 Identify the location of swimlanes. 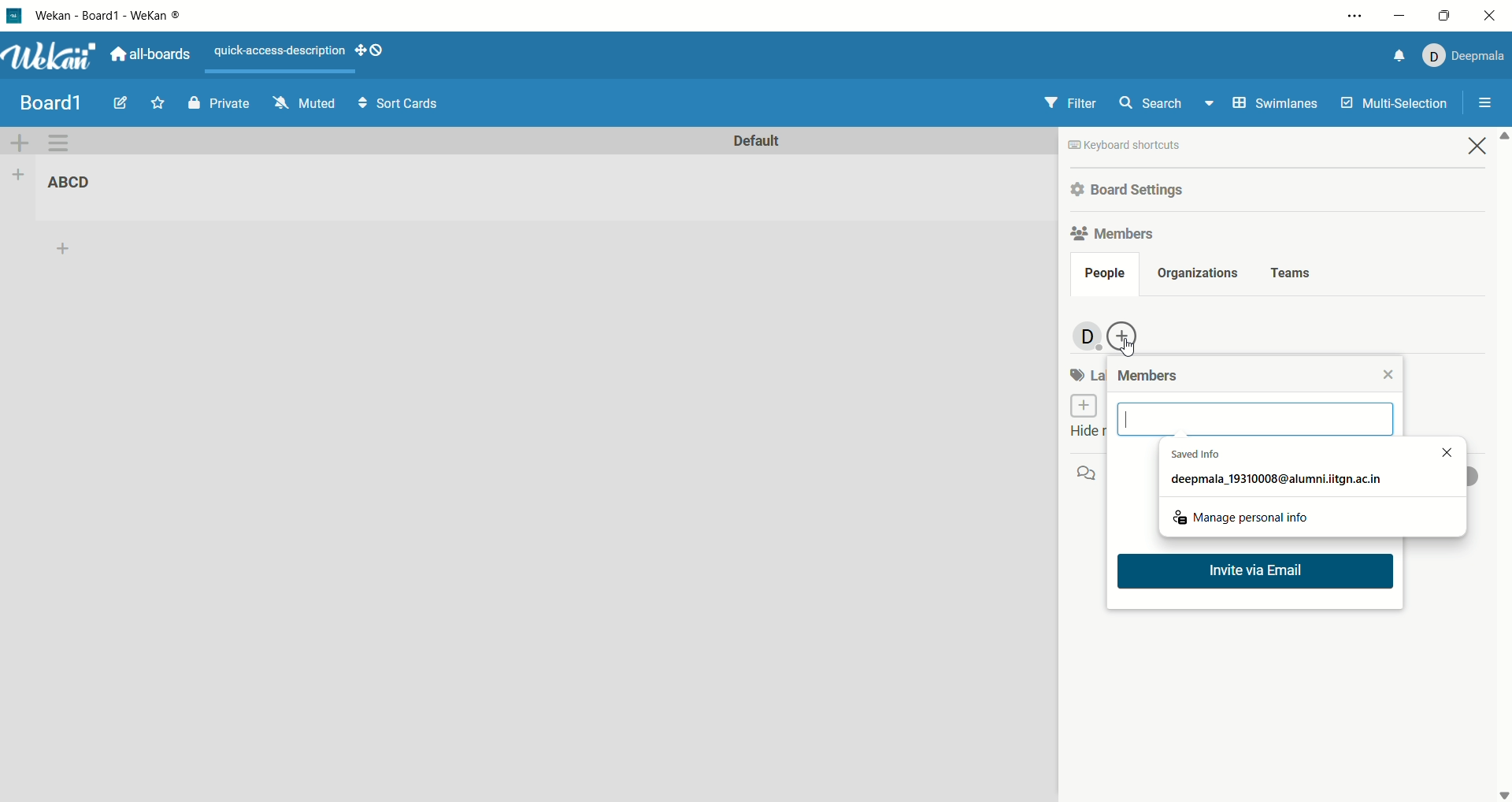
(1277, 105).